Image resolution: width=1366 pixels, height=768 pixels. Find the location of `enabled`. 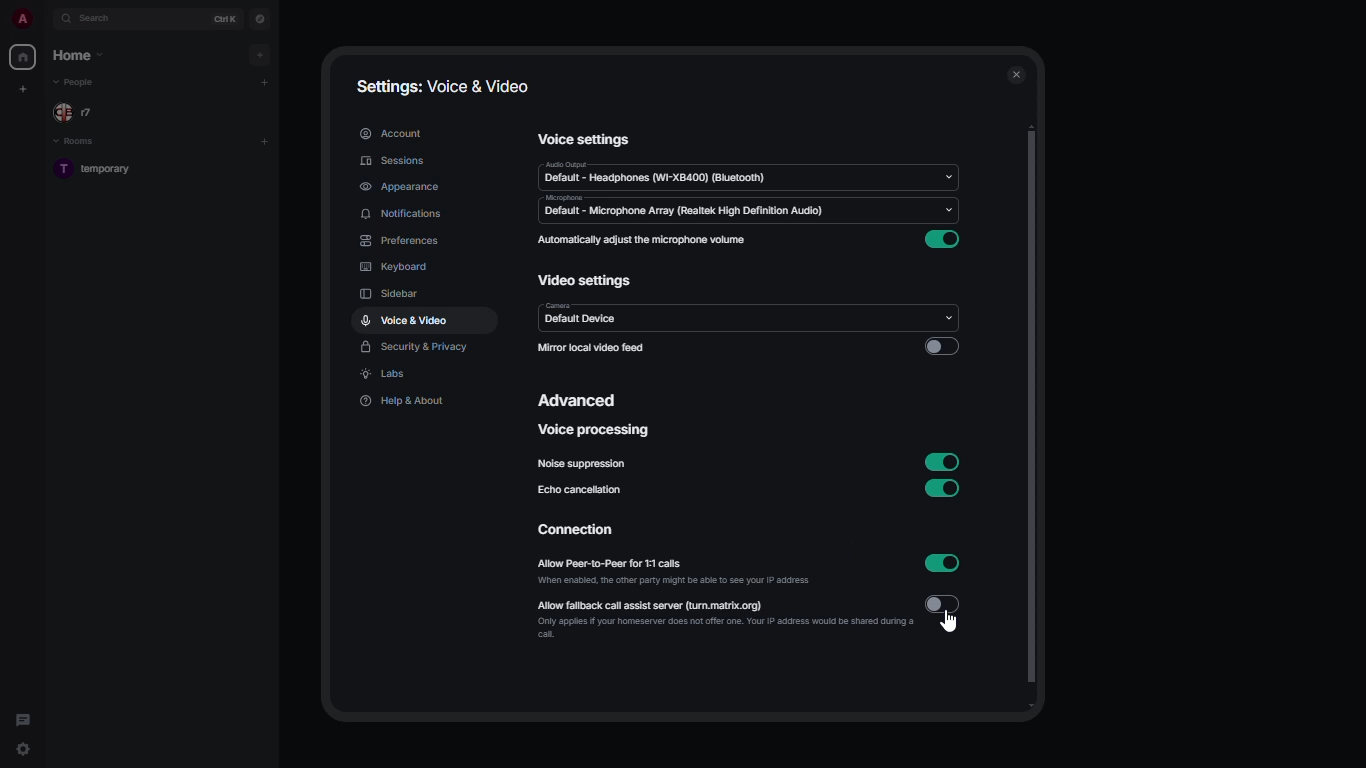

enabled is located at coordinates (943, 563).